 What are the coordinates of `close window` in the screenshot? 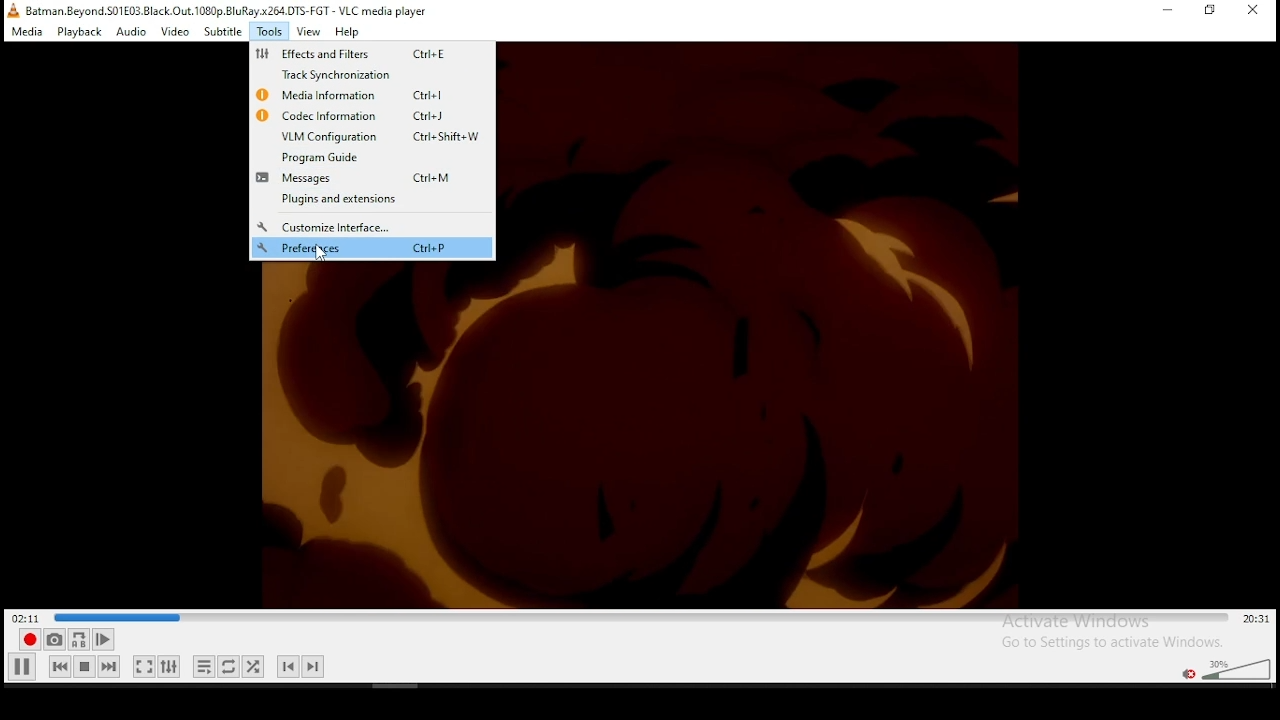 It's located at (1255, 12).